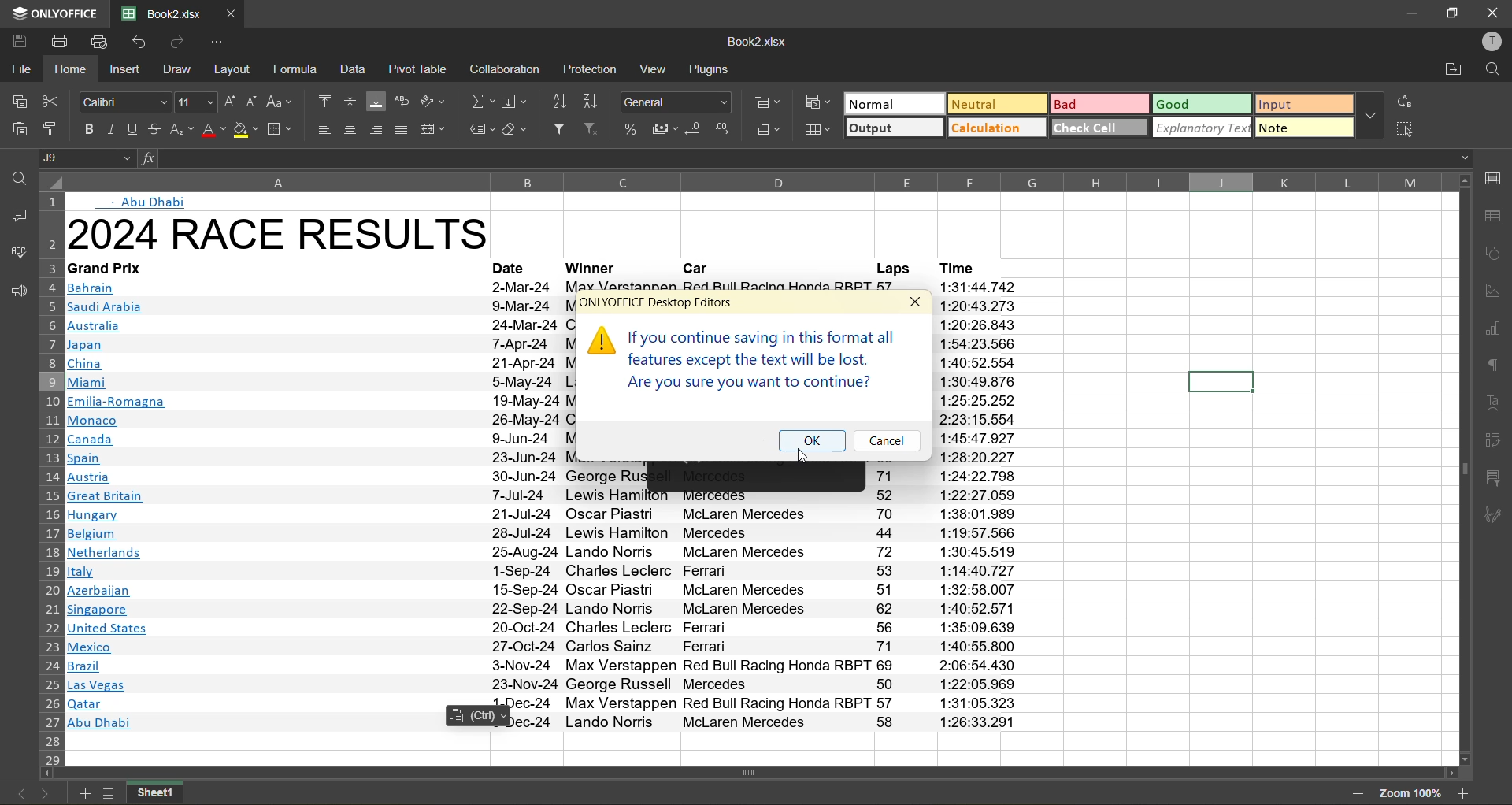 Image resolution: width=1512 pixels, height=805 pixels. Describe the element at coordinates (1495, 180) in the screenshot. I see `call settings` at that location.